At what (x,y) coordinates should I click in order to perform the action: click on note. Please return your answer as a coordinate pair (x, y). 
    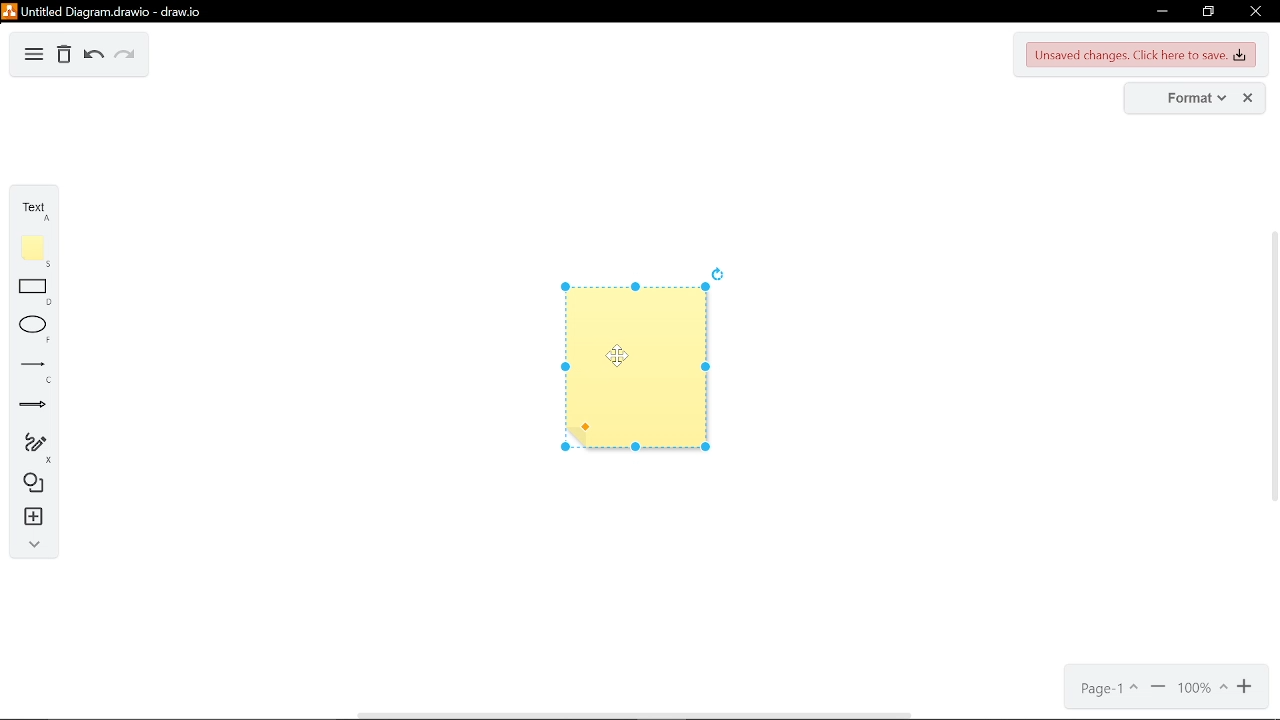
    Looking at the image, I should click on (34, 251).